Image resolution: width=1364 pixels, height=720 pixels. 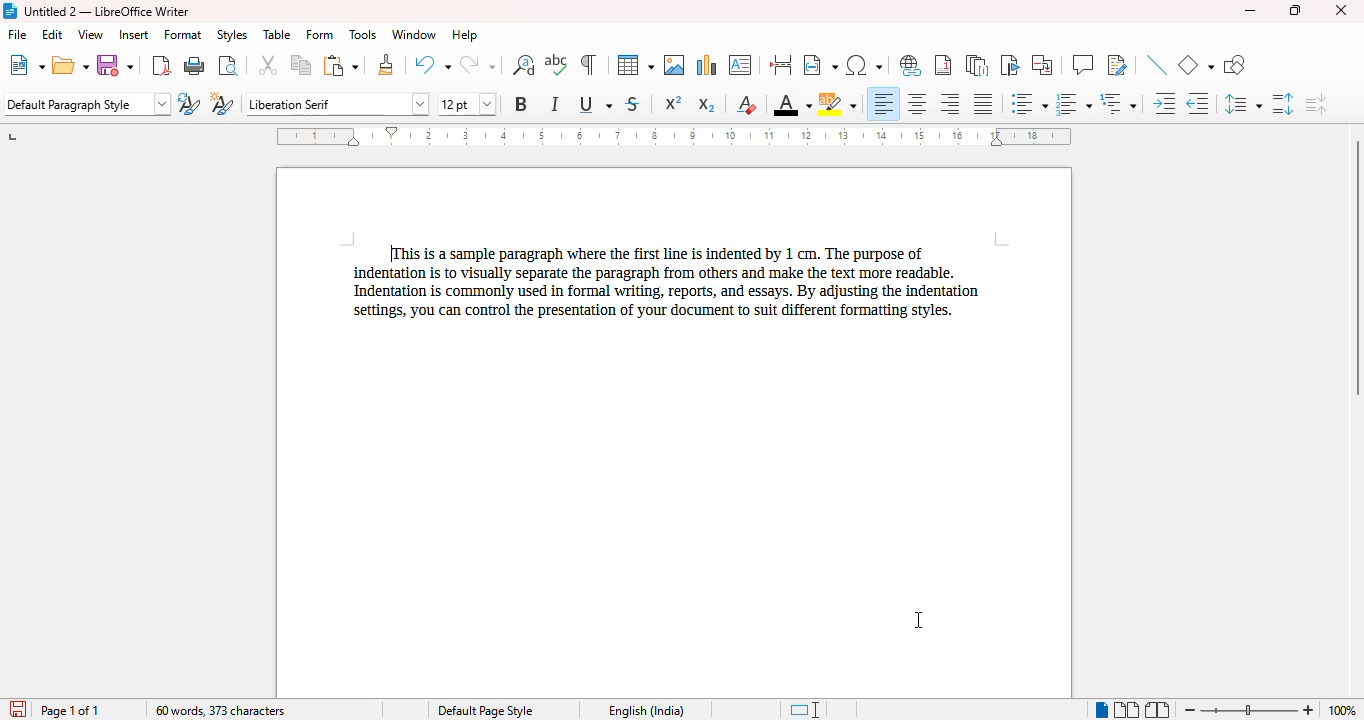 What do you see at coordinates (911, 66) in the screenshot?
I see `insert hyperlink` at bounding box center [911, 66].